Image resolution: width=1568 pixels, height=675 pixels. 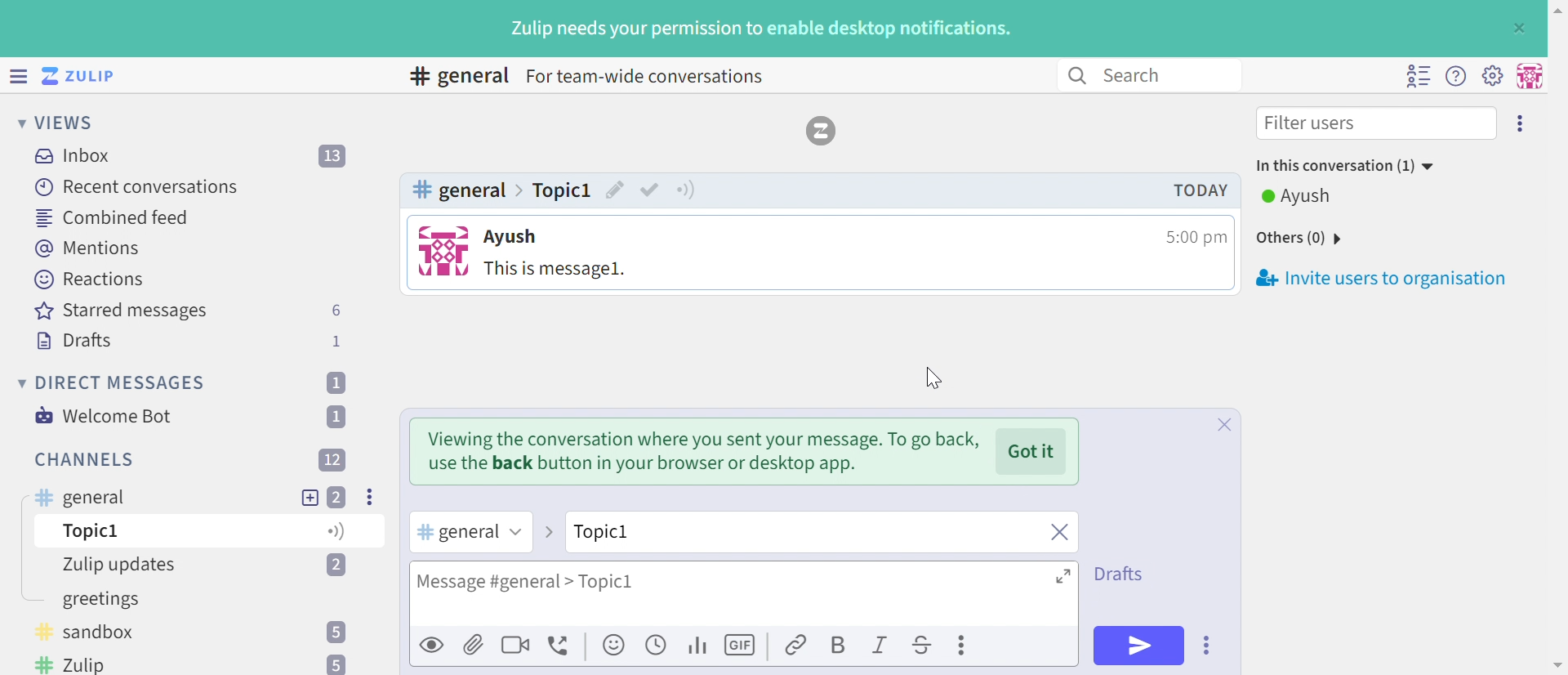 I want to click on Forward arrow, so click(x=547, y=532).